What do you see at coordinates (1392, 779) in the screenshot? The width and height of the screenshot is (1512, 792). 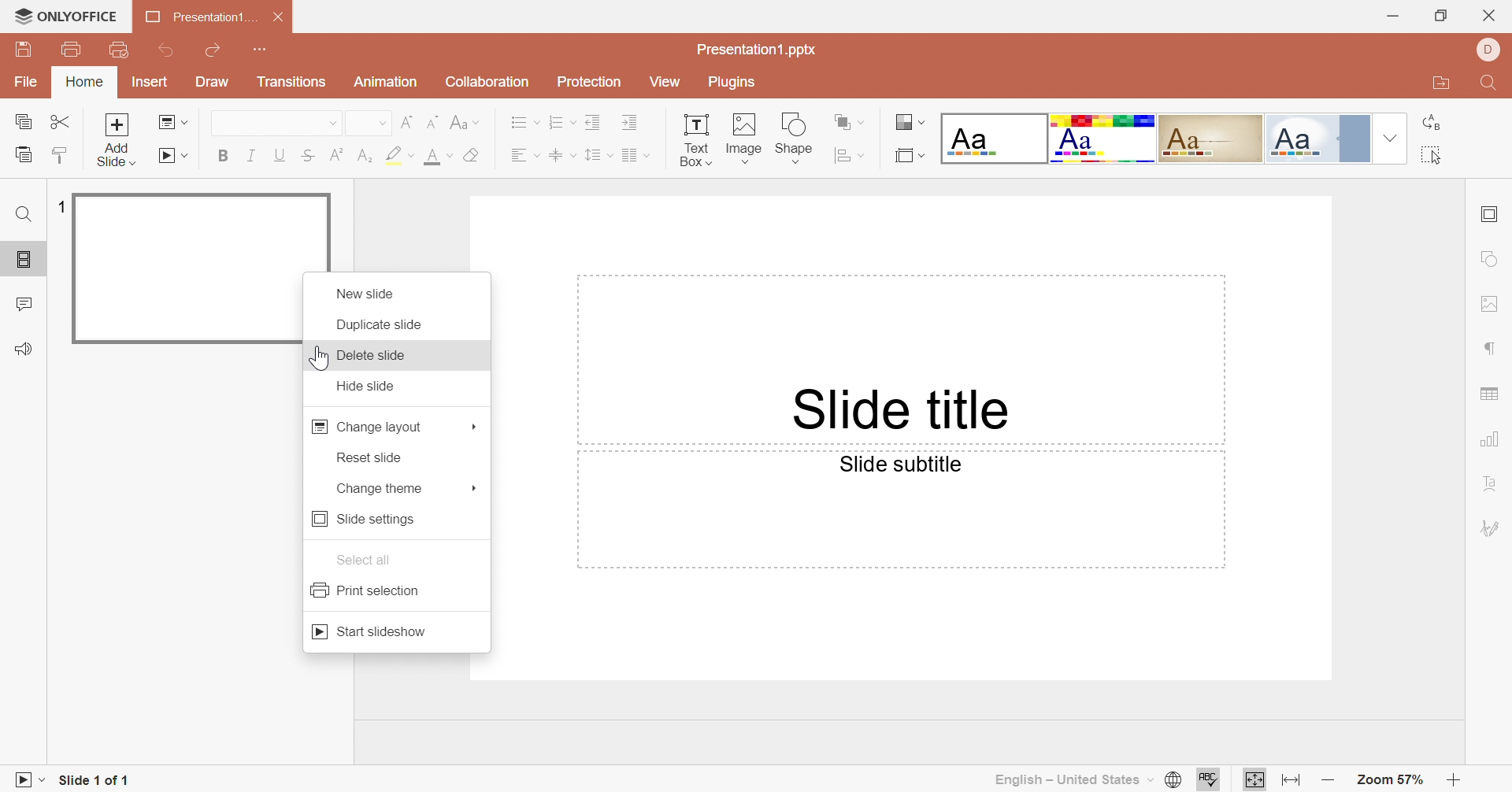 I see `Zoom 57%` at bounding box center [1392, 779].